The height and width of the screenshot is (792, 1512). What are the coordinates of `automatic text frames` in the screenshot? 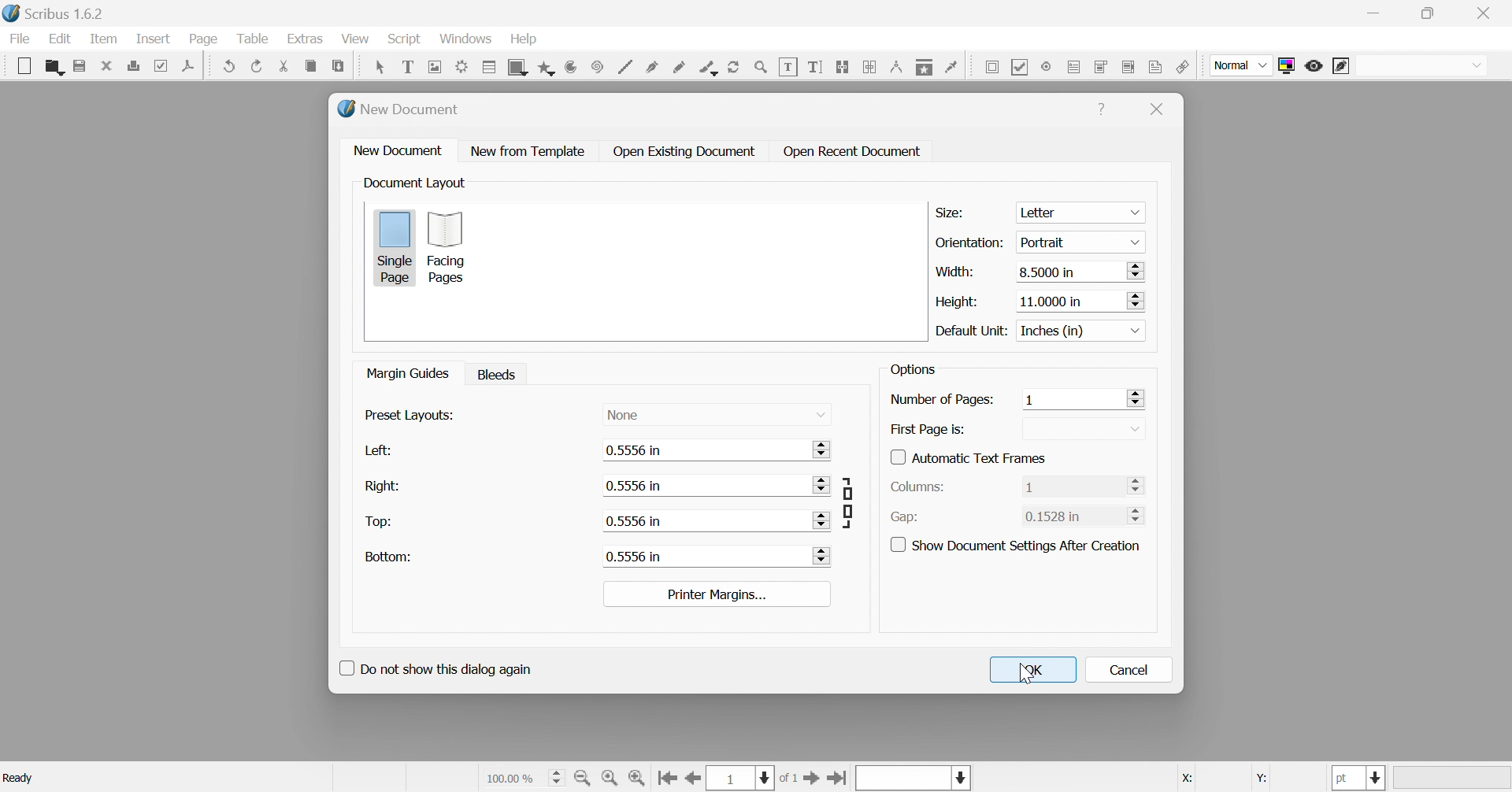 It's located at (960, 458).